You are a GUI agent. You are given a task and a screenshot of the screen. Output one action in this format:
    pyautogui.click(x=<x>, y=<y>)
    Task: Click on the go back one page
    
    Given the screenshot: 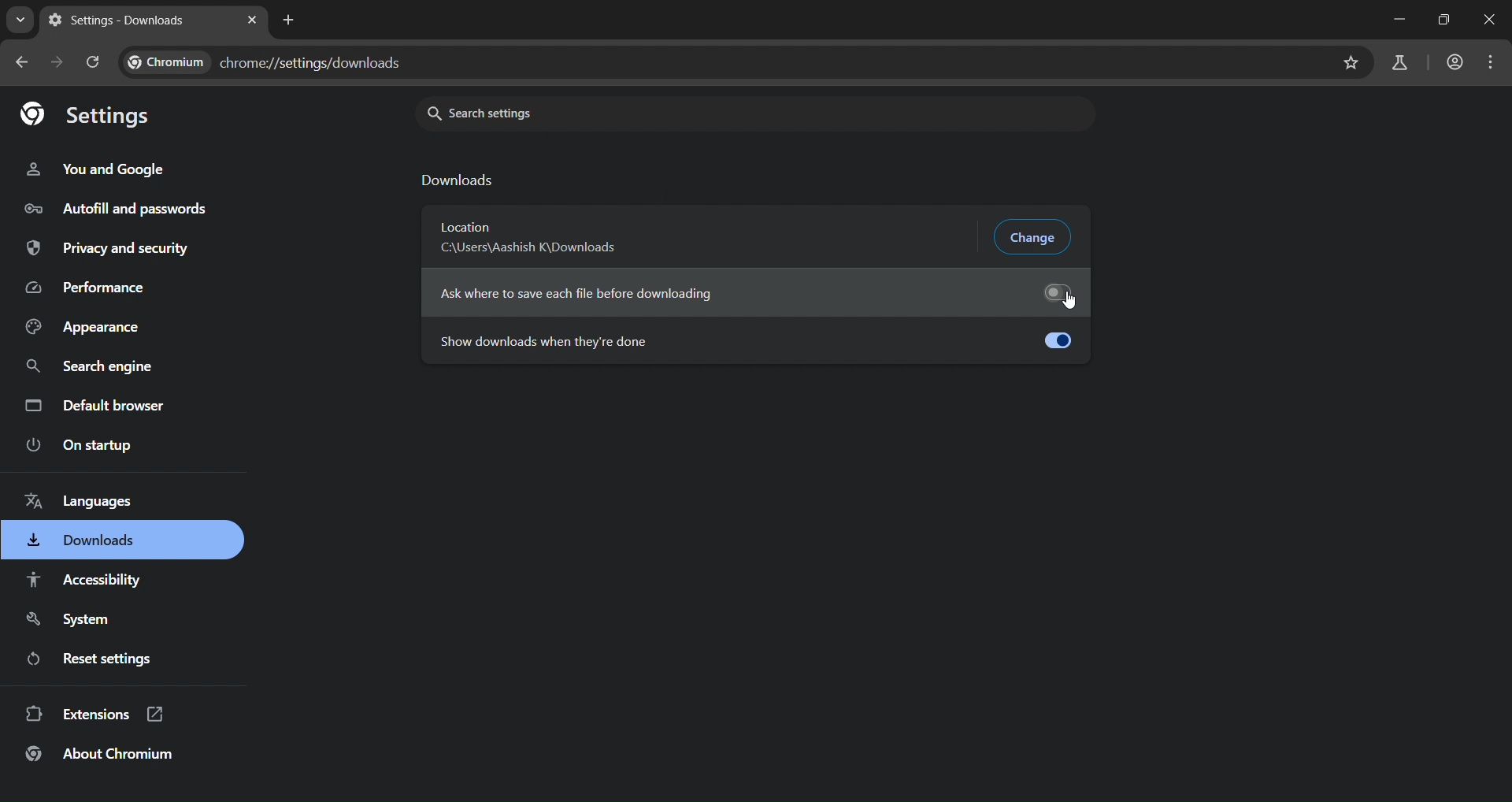 What is the action you would take?
    pyautogui.click(x=19, y=63)
    